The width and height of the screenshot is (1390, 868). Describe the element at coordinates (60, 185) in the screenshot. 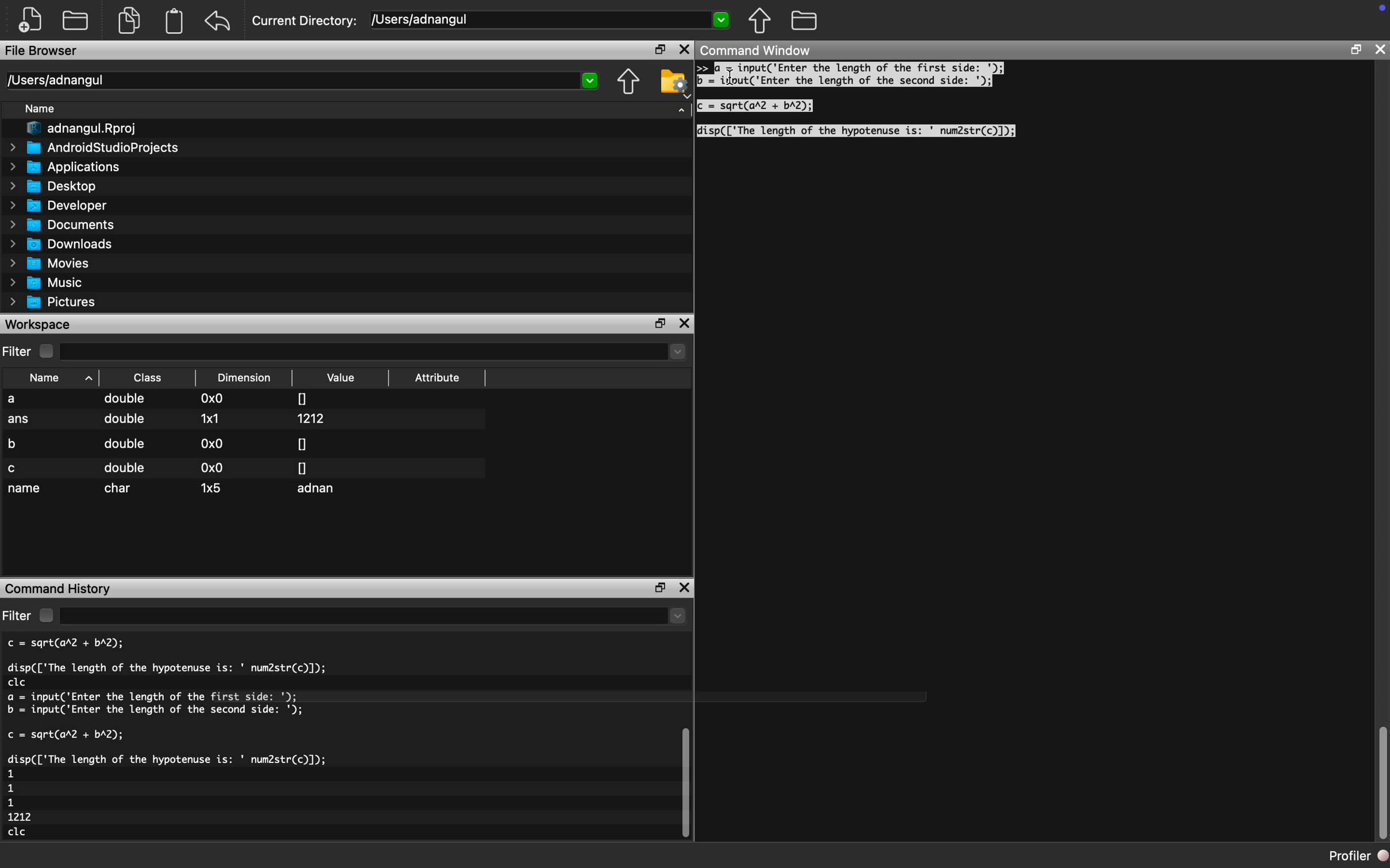

I see ` Desktop` at that location.